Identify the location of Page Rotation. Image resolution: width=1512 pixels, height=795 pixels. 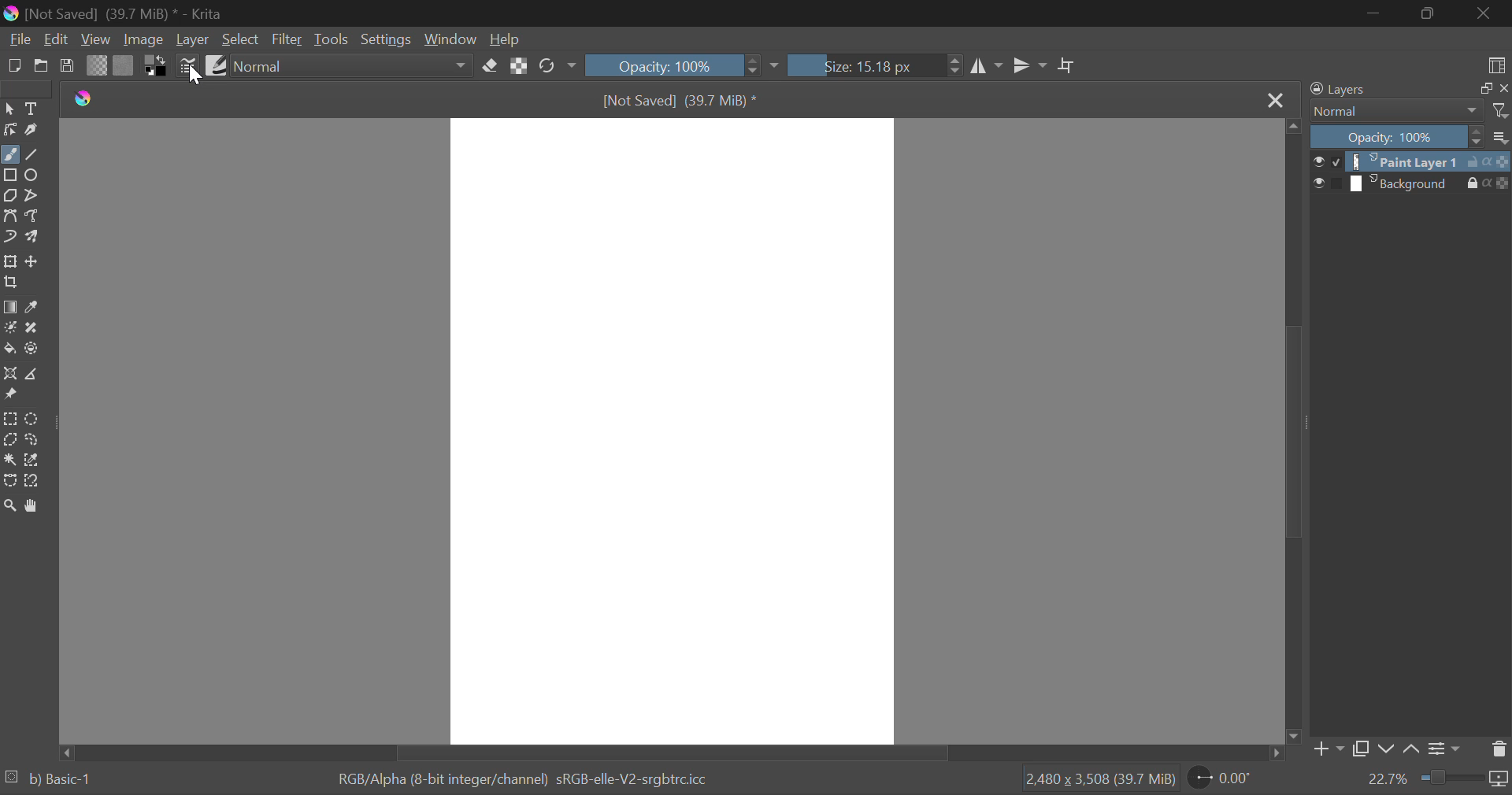
(1219, 779).